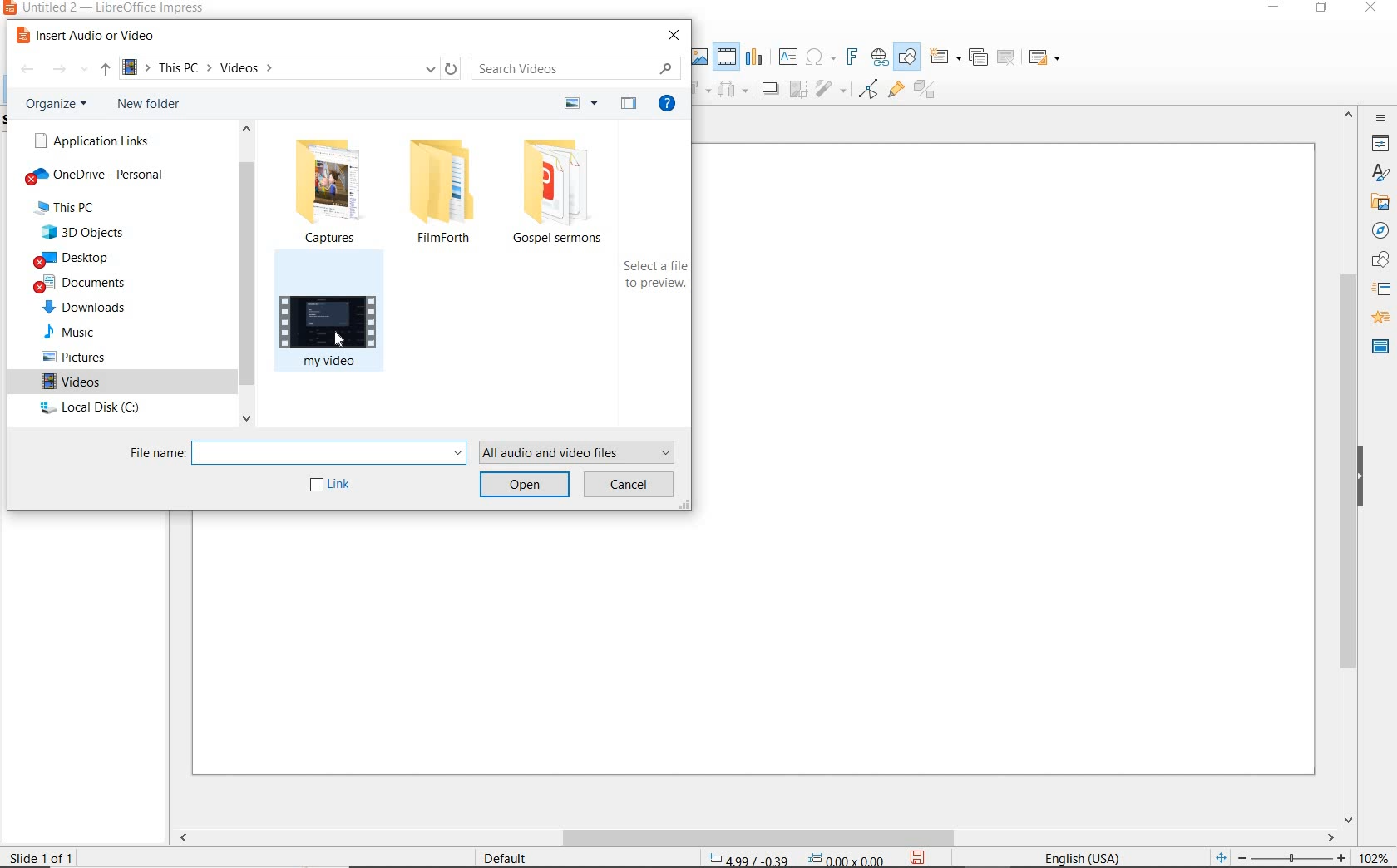  What do you see at coordinates (626, 104) in the screenshot?
I see `HIDE PREVIEW PANE` at bounding box center [626, 104].